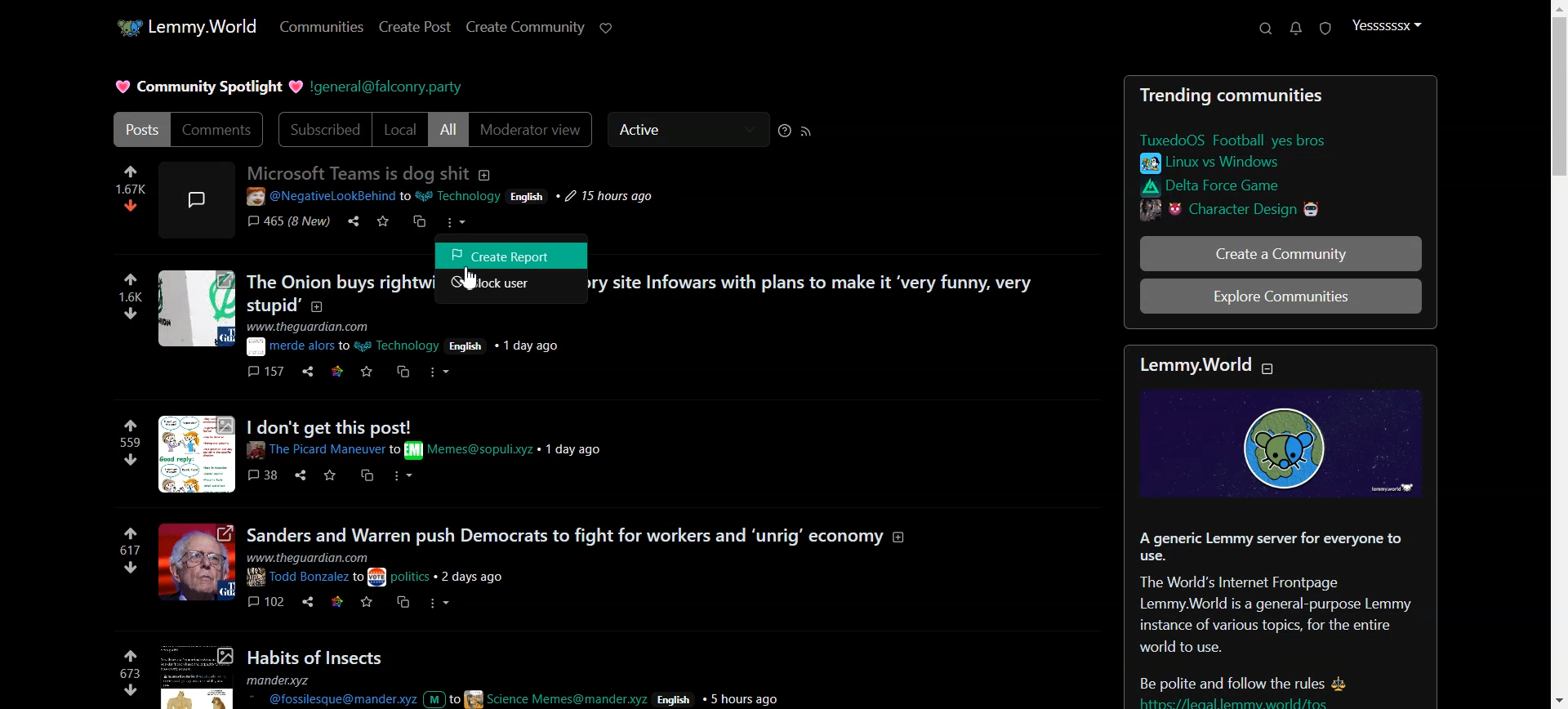  Describe the element at coordinates (390, 87) in the screenshot. I see `Hyperlink` at that location.